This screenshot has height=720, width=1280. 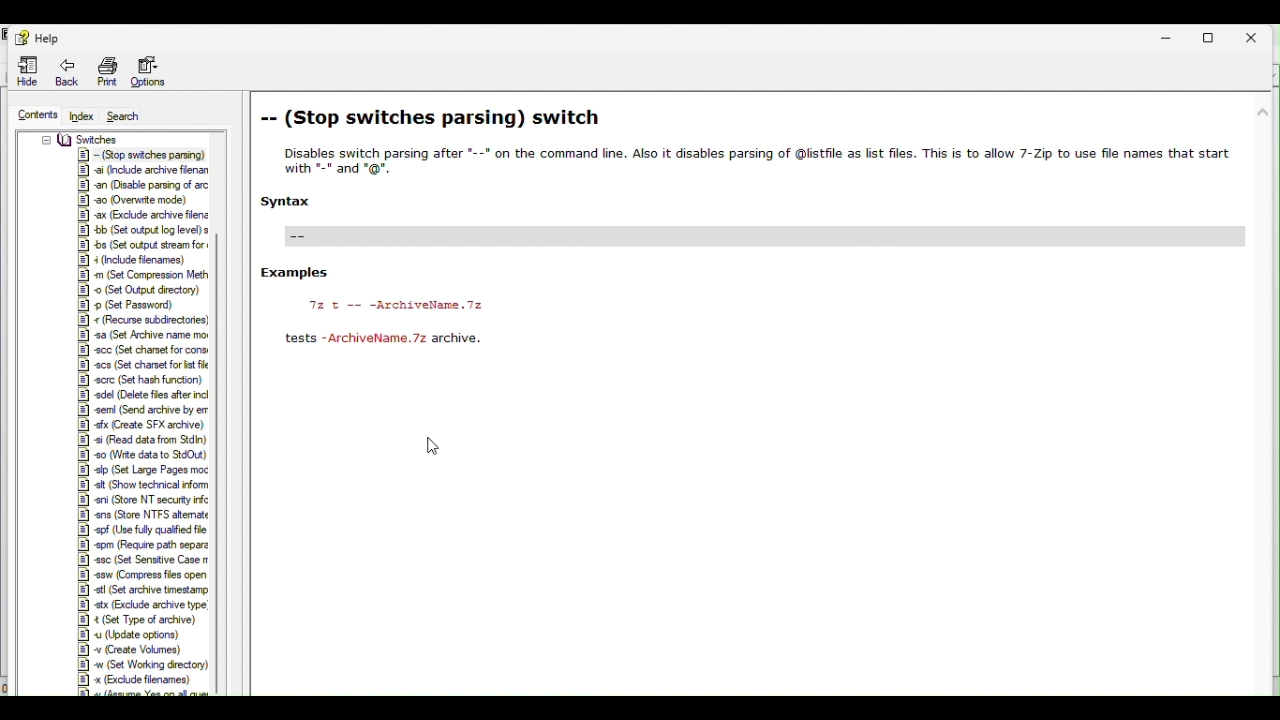 What do you see at coordinates (144, 349) in the screenshot?
I see `` at bounding box center [144, 349].